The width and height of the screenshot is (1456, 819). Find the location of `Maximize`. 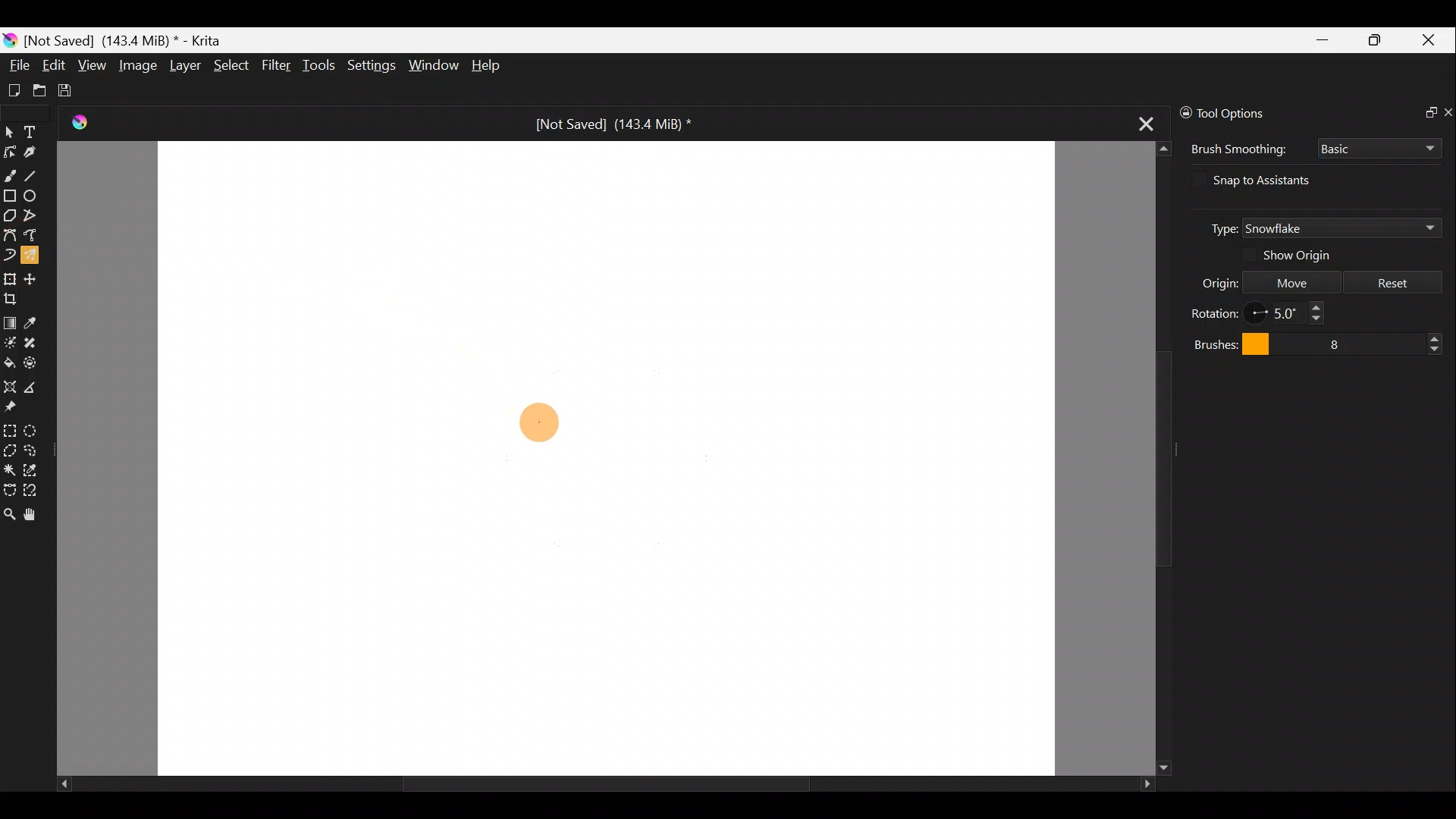

Maximize is located at coordinates (1377, 39).